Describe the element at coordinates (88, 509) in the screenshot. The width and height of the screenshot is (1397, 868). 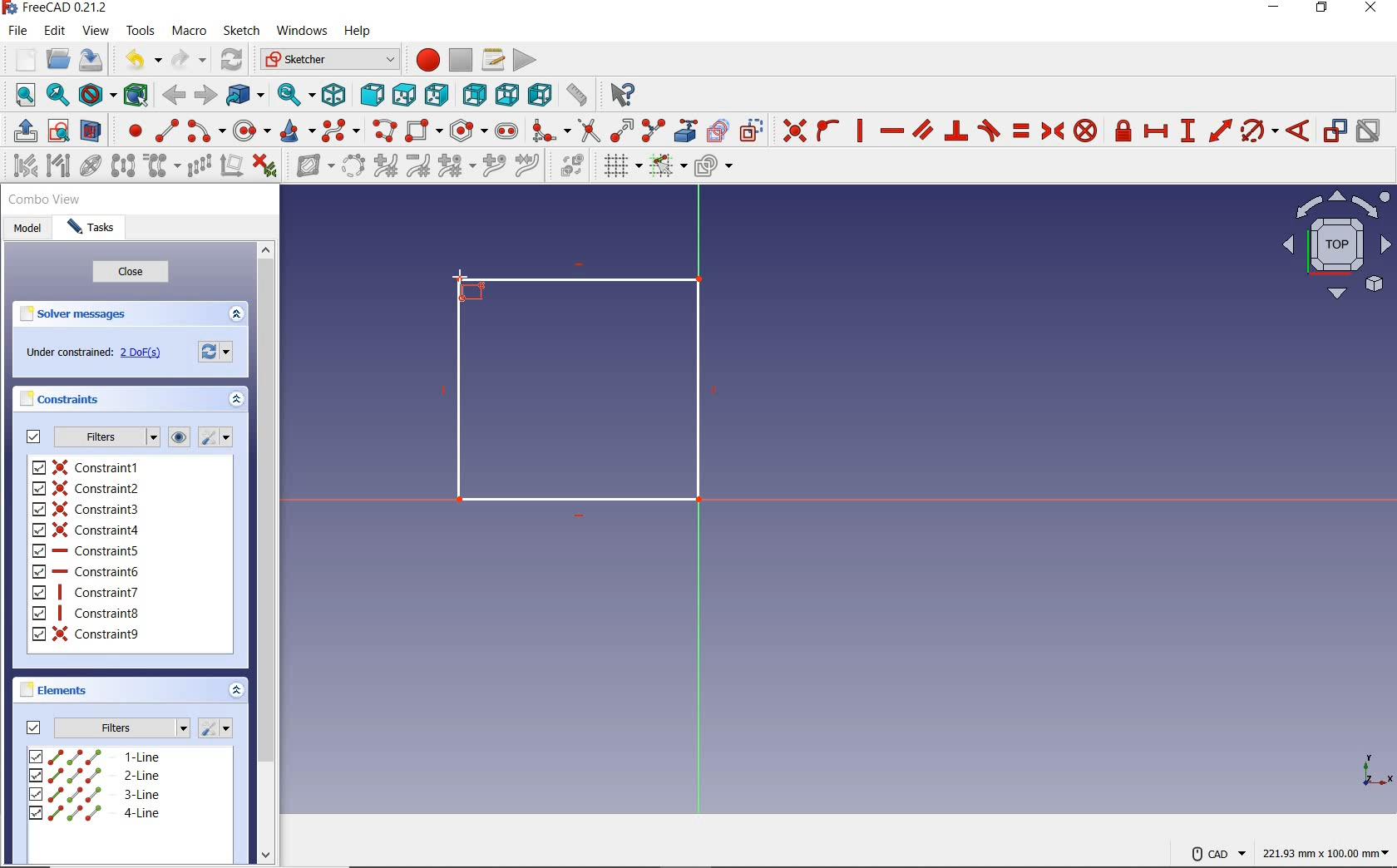
I see `constraint3` at that location.